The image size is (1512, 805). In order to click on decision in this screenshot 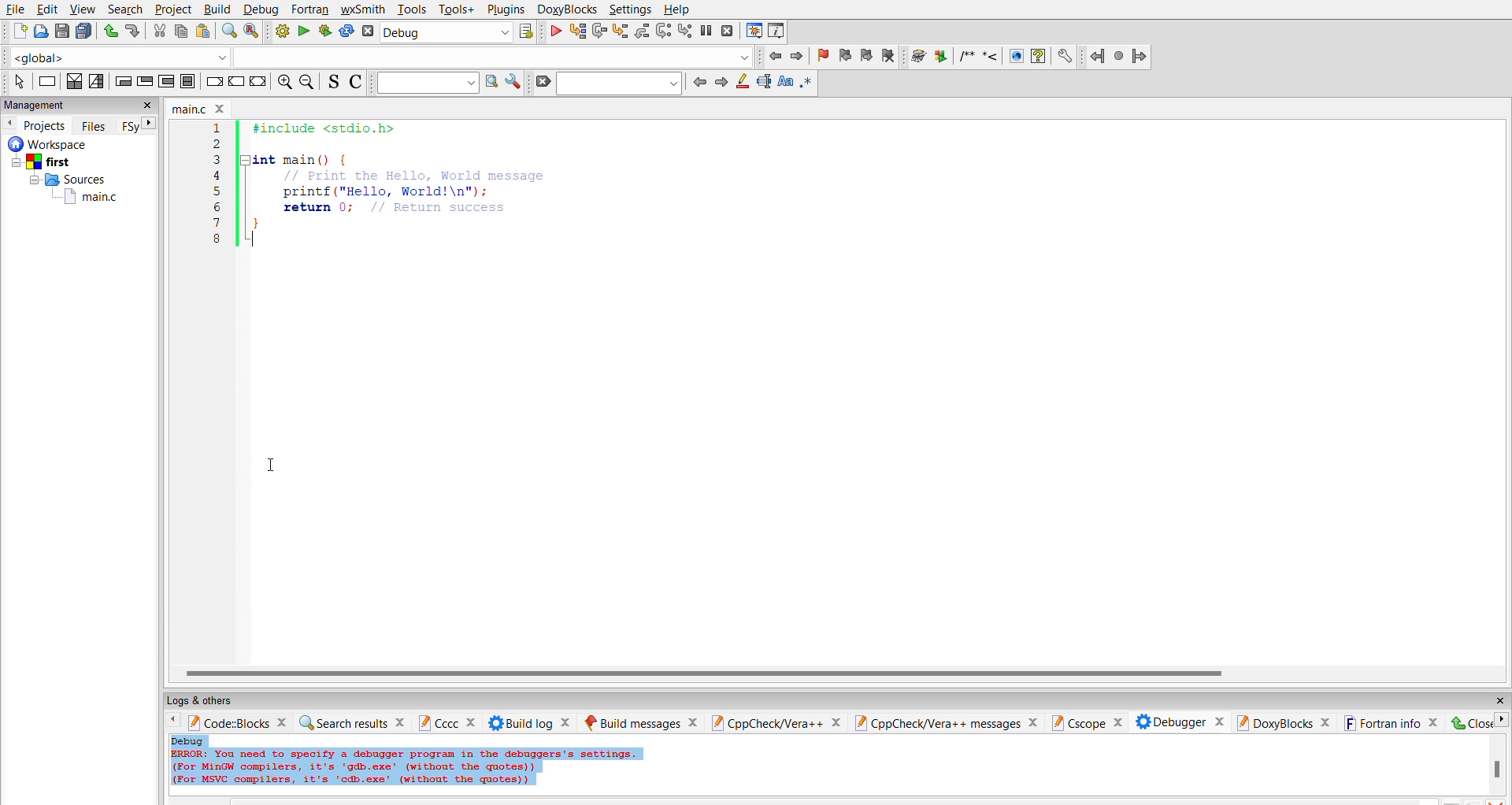, I will do `click(76, 82)`.